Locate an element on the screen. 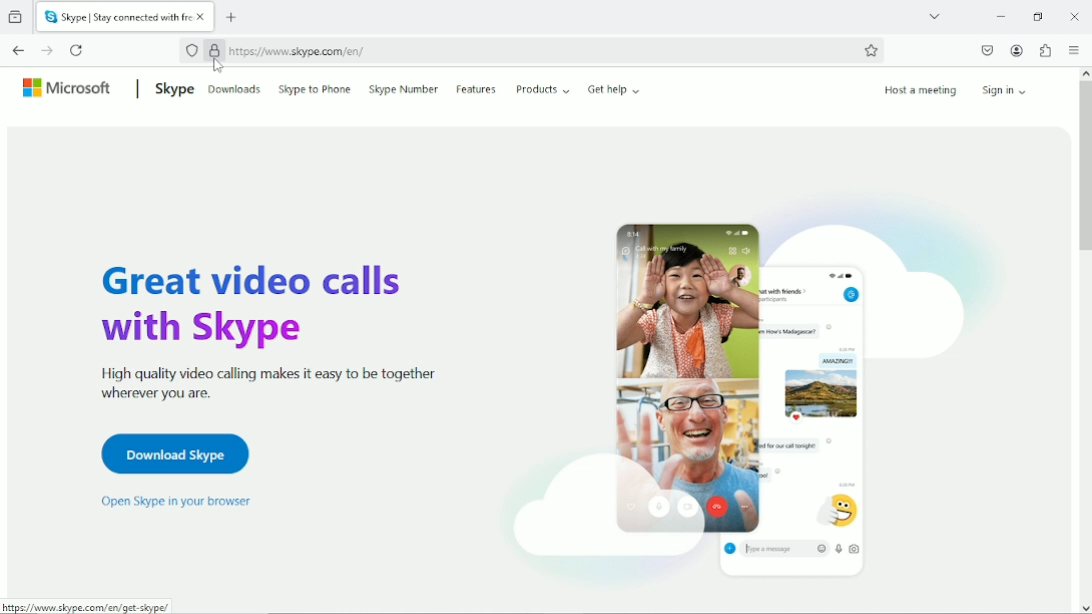 This screenshot has width=1092, height=614. videocall/chat is located at coordinates (745, 387).